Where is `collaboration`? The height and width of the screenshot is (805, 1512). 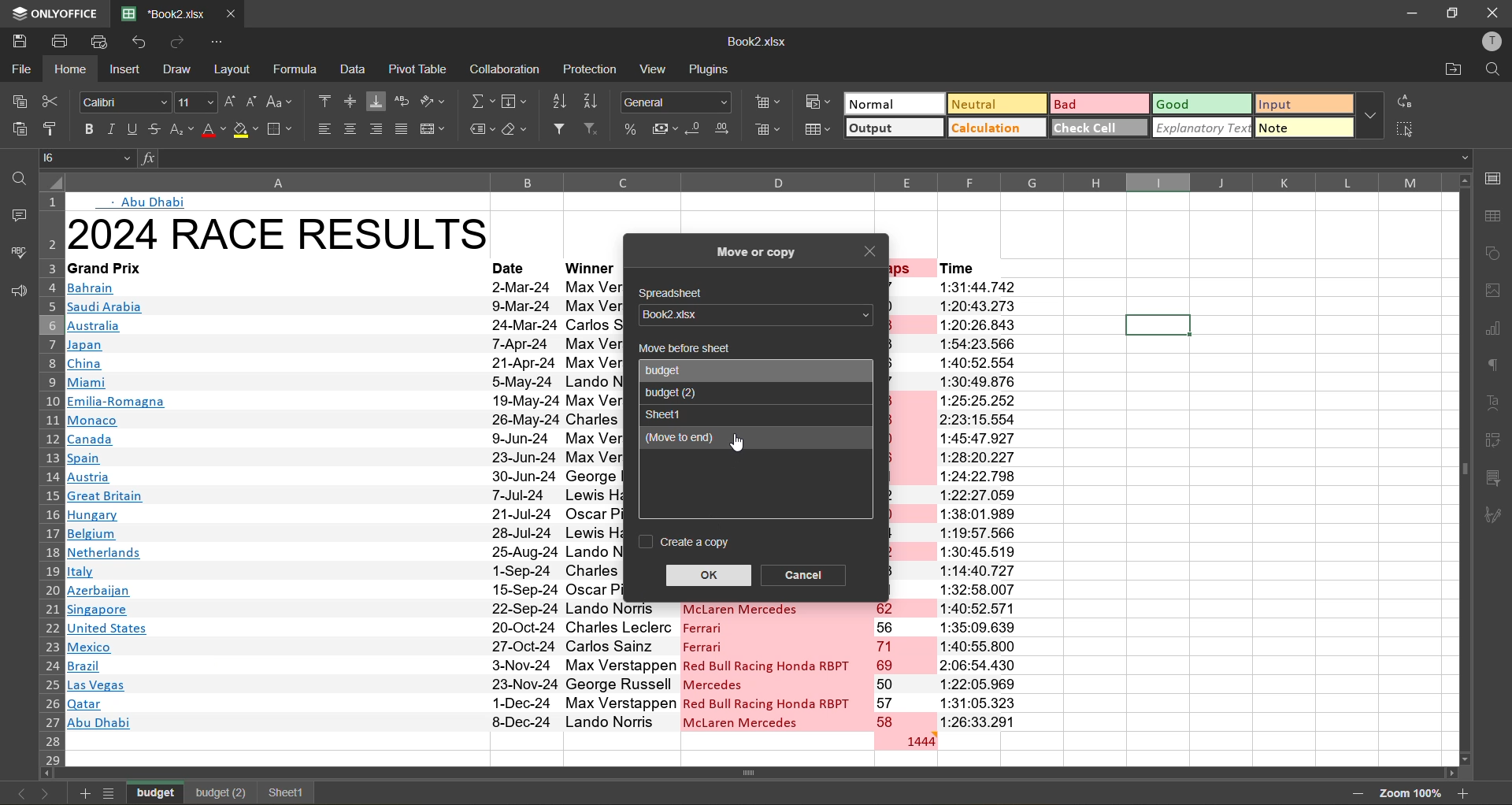 collaboration is located at coordinates (507, 70).